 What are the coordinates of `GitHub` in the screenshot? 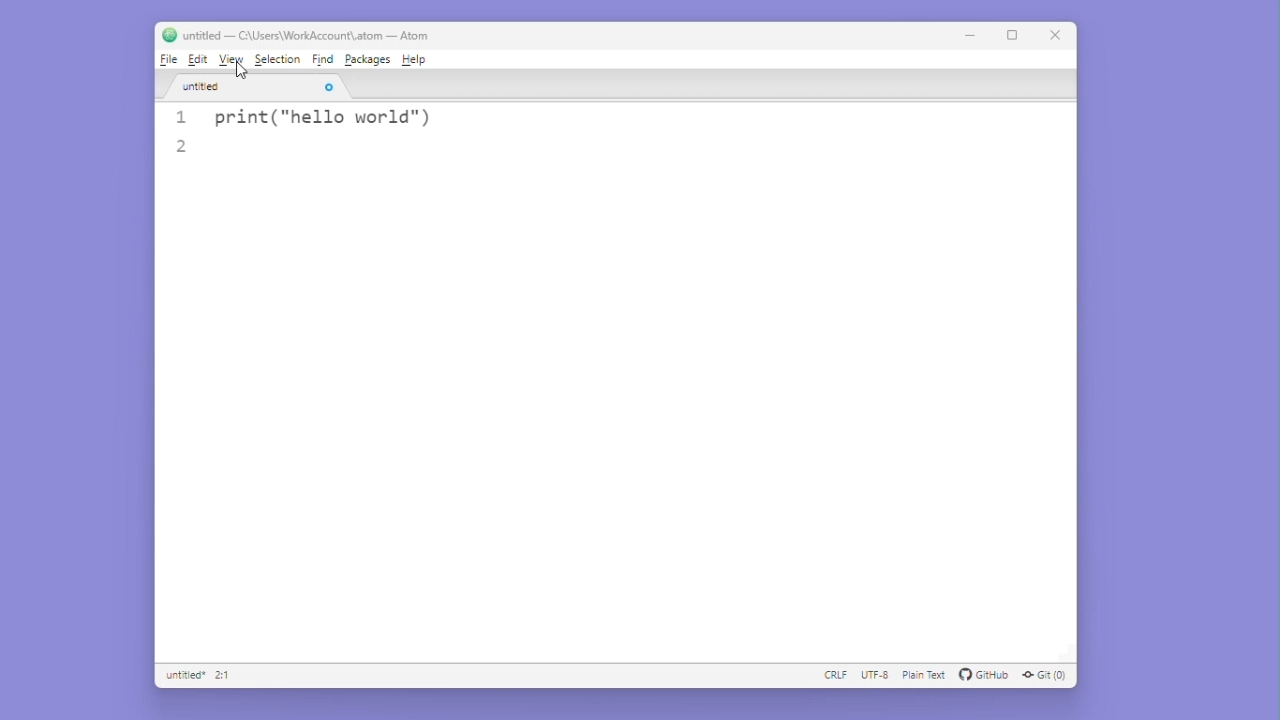 It's located at (984, 676).